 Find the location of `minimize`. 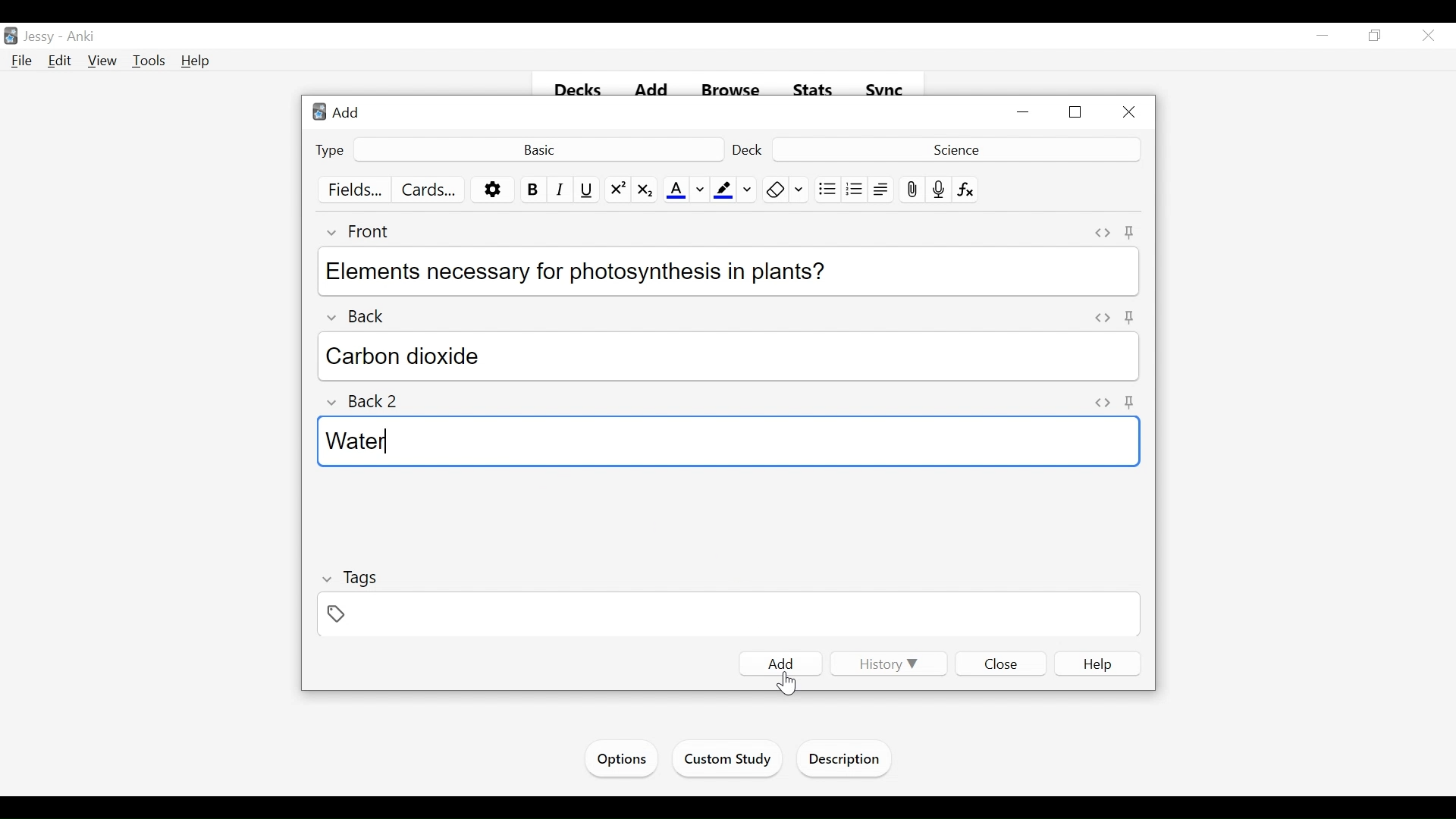

minimize is located at coordinates (1323, 36).